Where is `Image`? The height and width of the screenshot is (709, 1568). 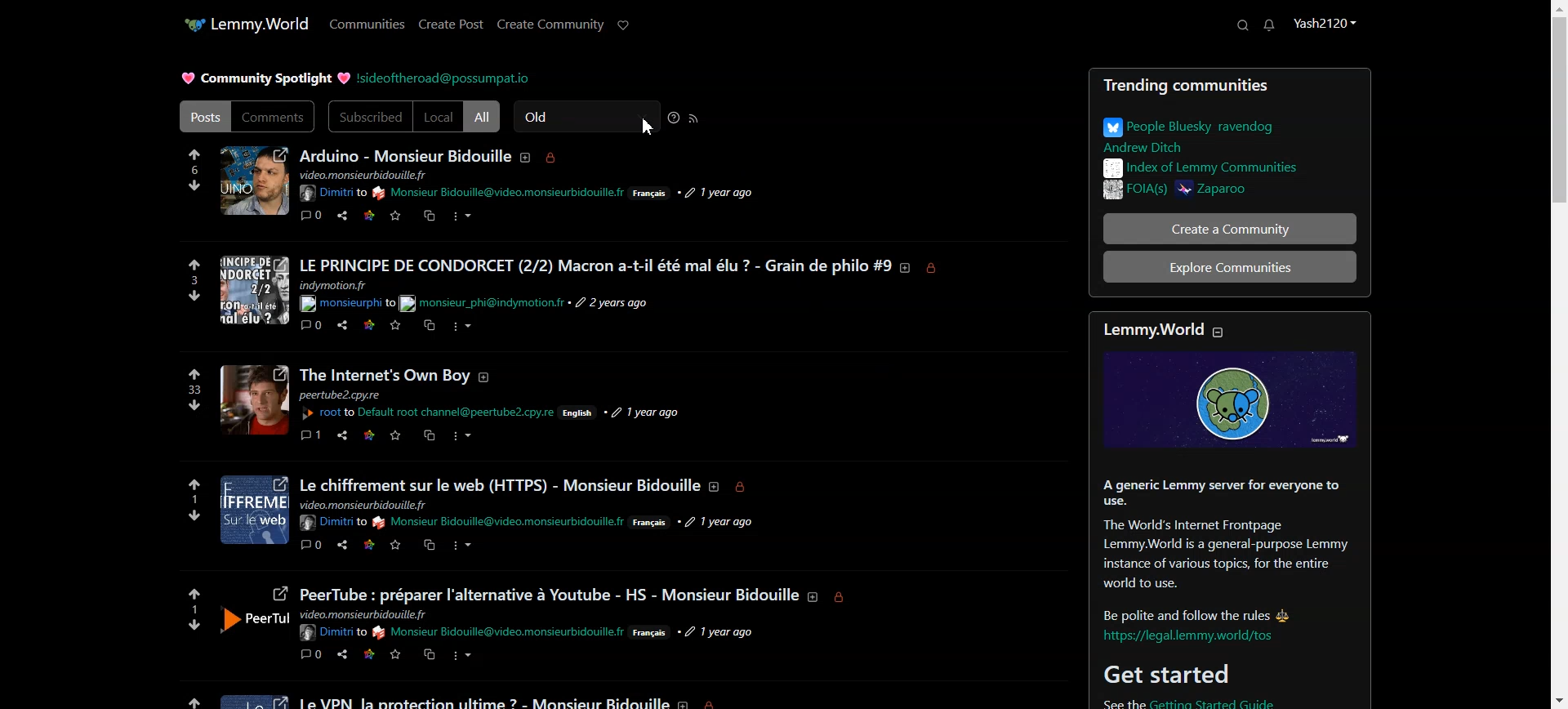 Image is located at coordinates (1229, 401).